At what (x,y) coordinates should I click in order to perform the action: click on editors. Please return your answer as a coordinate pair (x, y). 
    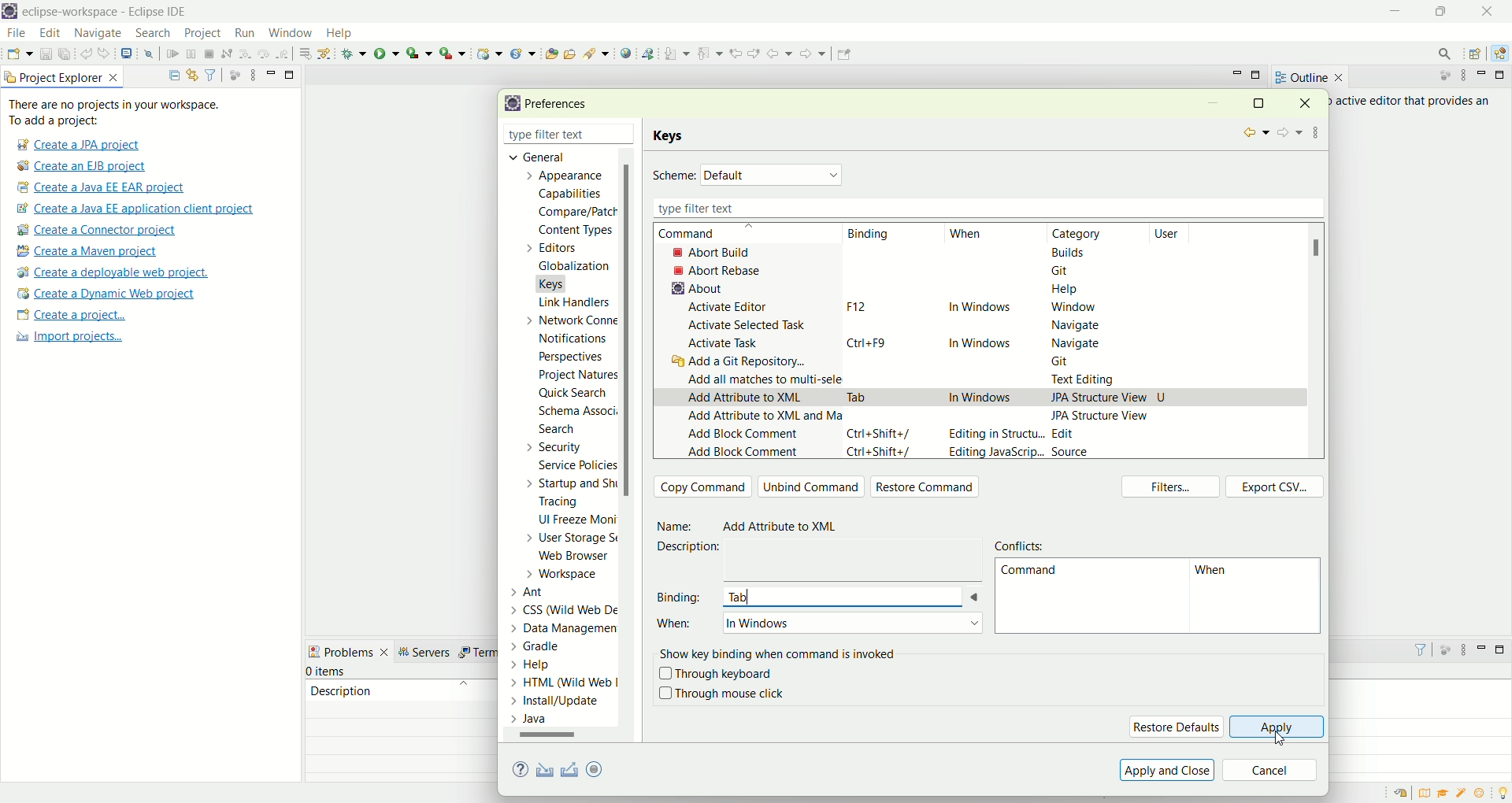
    Looking at the image, I should click on (561, 247).